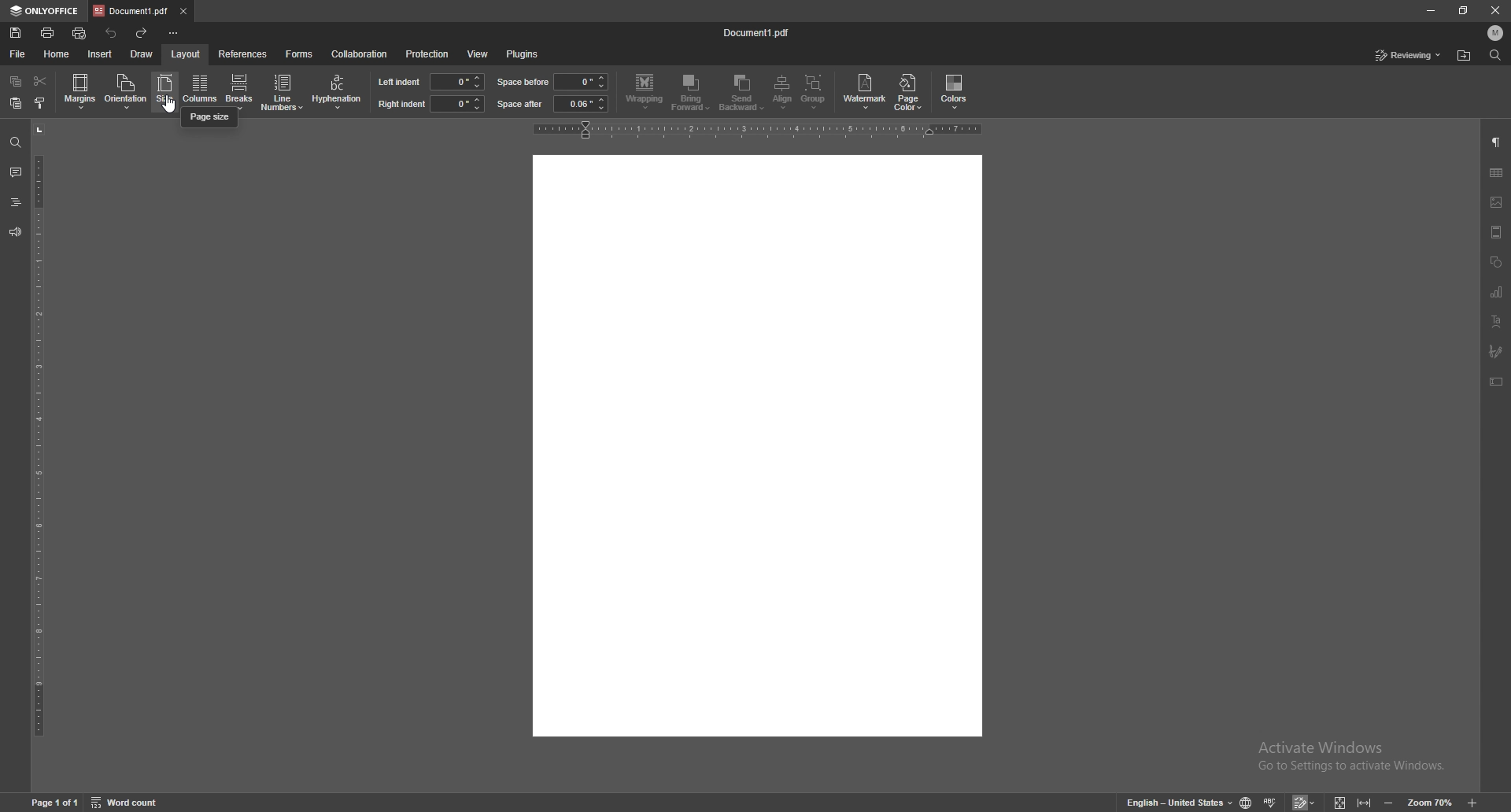 Image resolution: width=1511 pixels, height=812 pixels. What do you see at coordinates (524, 82) in the screenshot?
I see `space before` at bounding box center [524, 82].